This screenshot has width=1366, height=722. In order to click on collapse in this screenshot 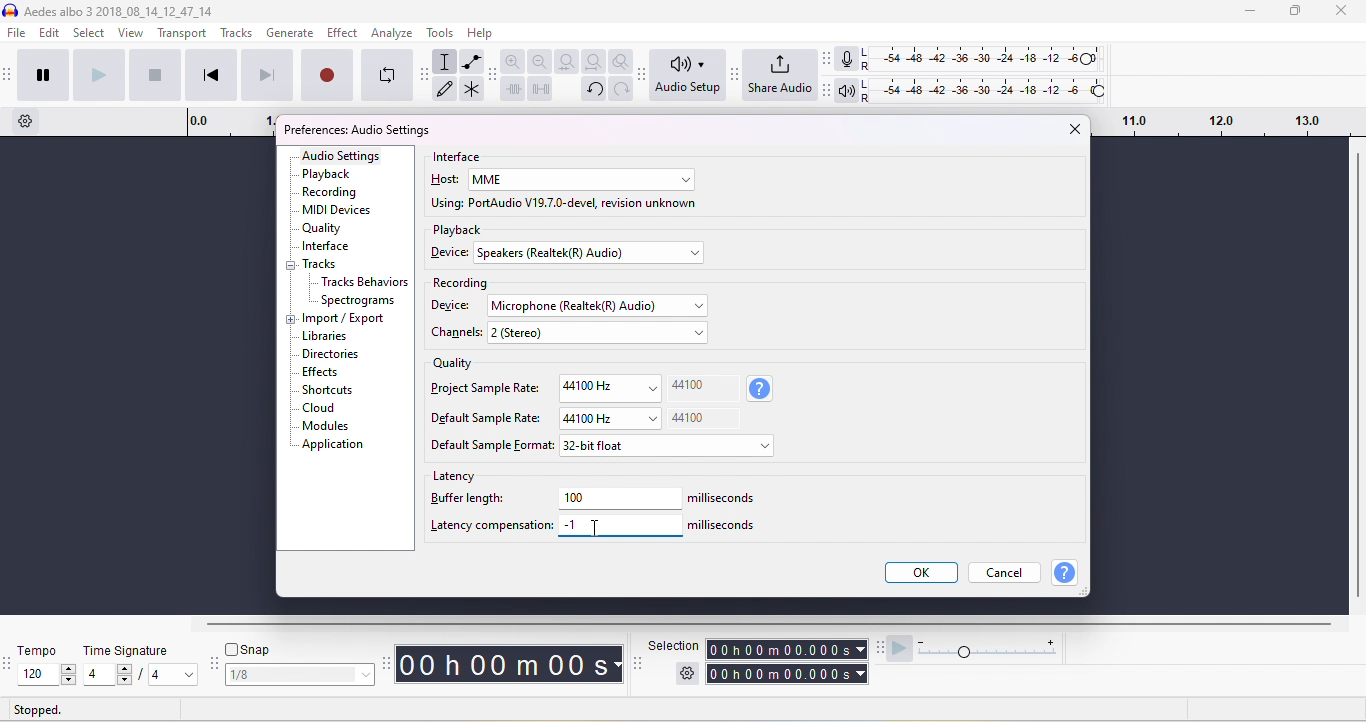, I will do `click(294, 267)`.